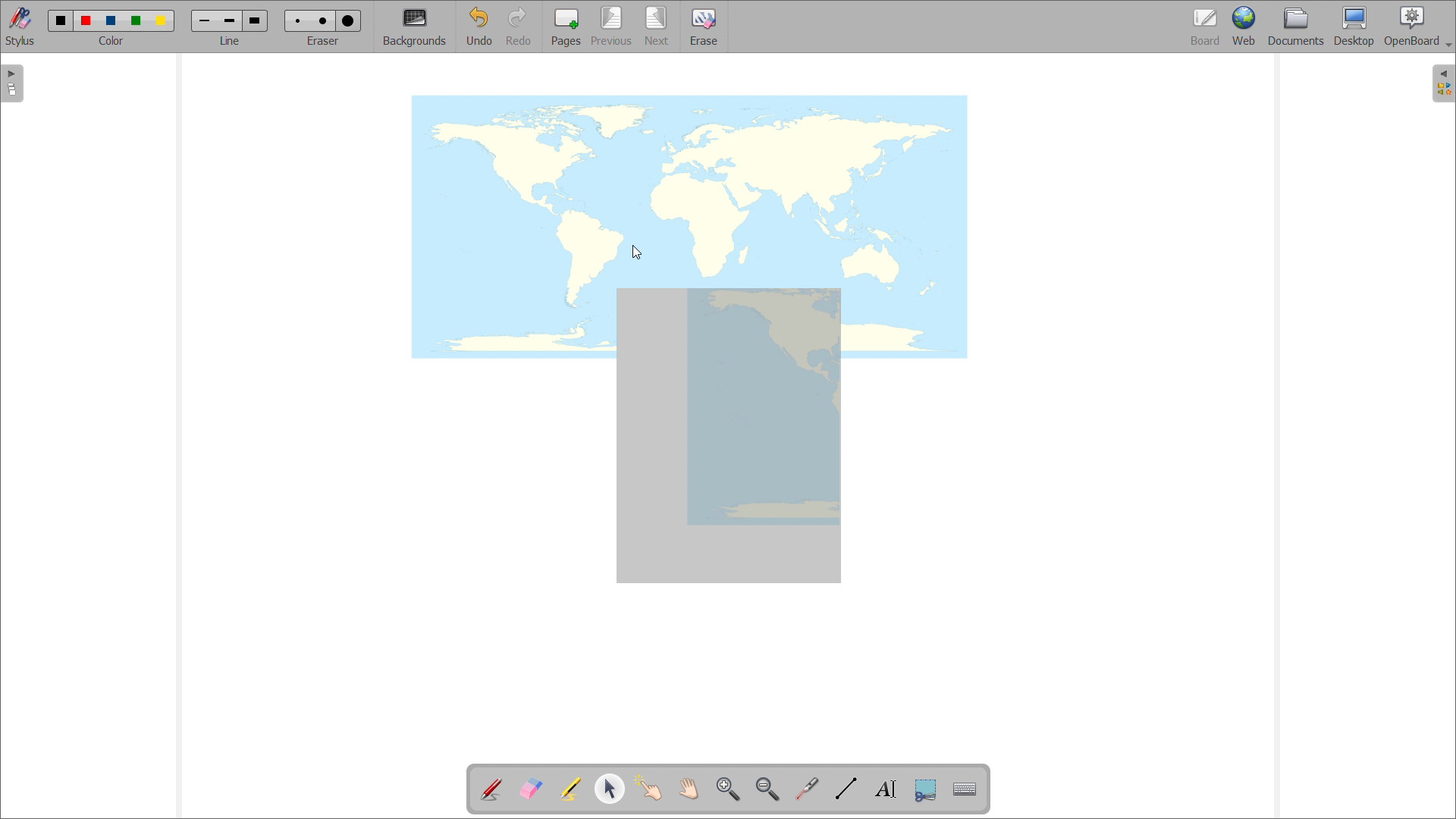 This screenshot has height=819, width=1456. Describe the element at coordinates (610, 789) in the screenshot. I see `select and modify objects` at that location.